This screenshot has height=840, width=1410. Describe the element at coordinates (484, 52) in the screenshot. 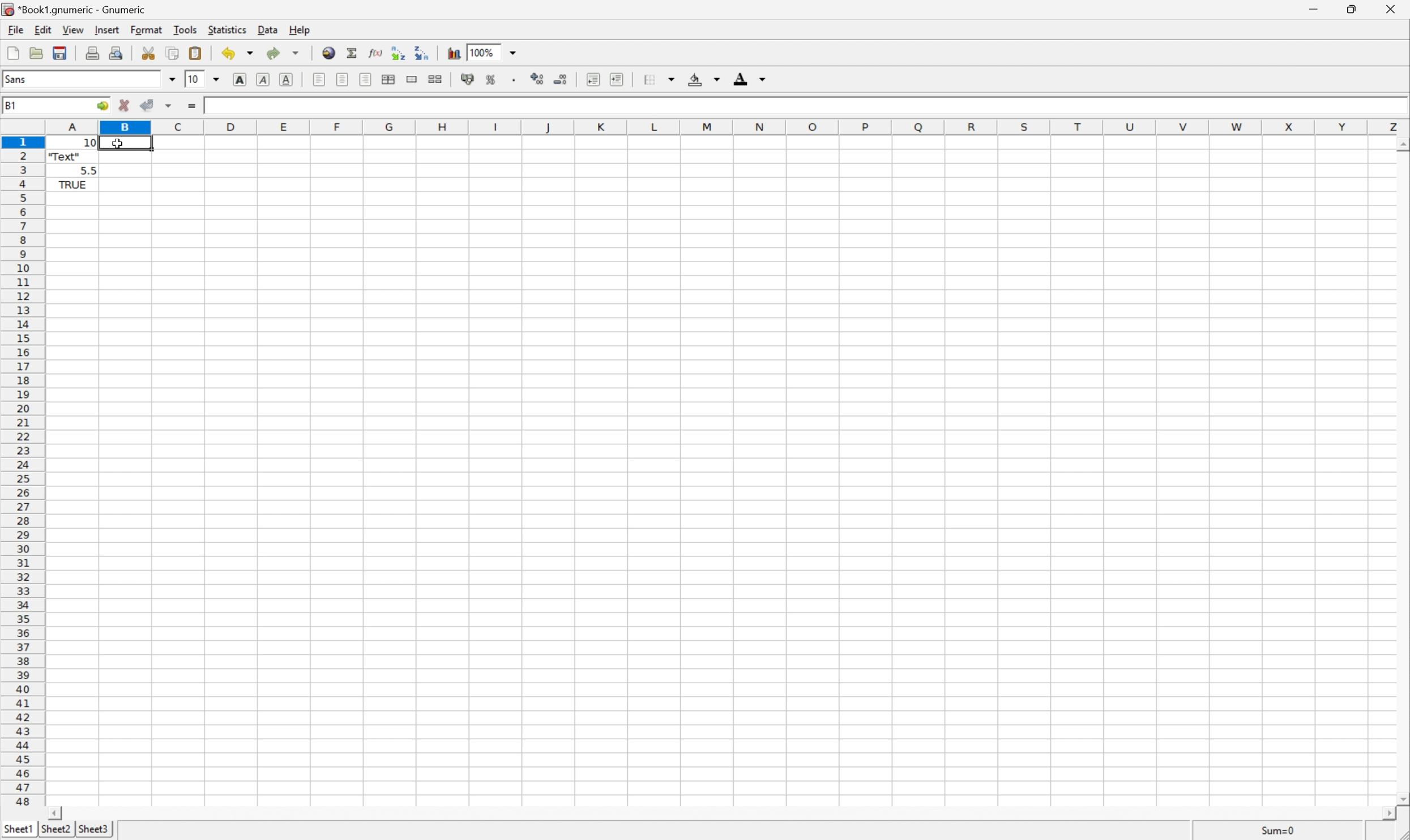

I see `100%` at that location.